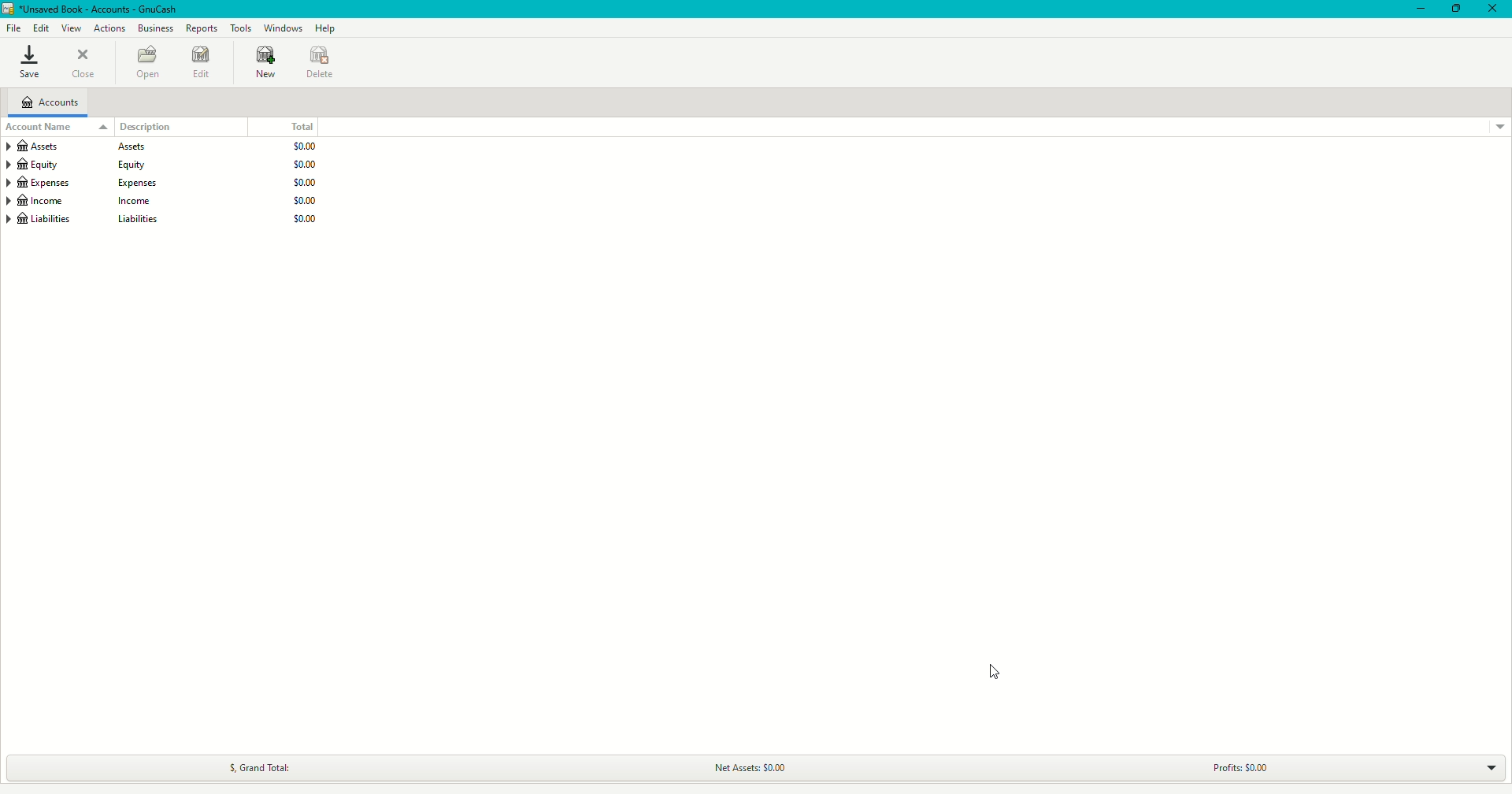 Image resolution: width=1512 pixels, height=794 pixels. What do you see at coordinates (165, 147) in the screenshot?
I see `Assets` at bounding box center [165, 147].